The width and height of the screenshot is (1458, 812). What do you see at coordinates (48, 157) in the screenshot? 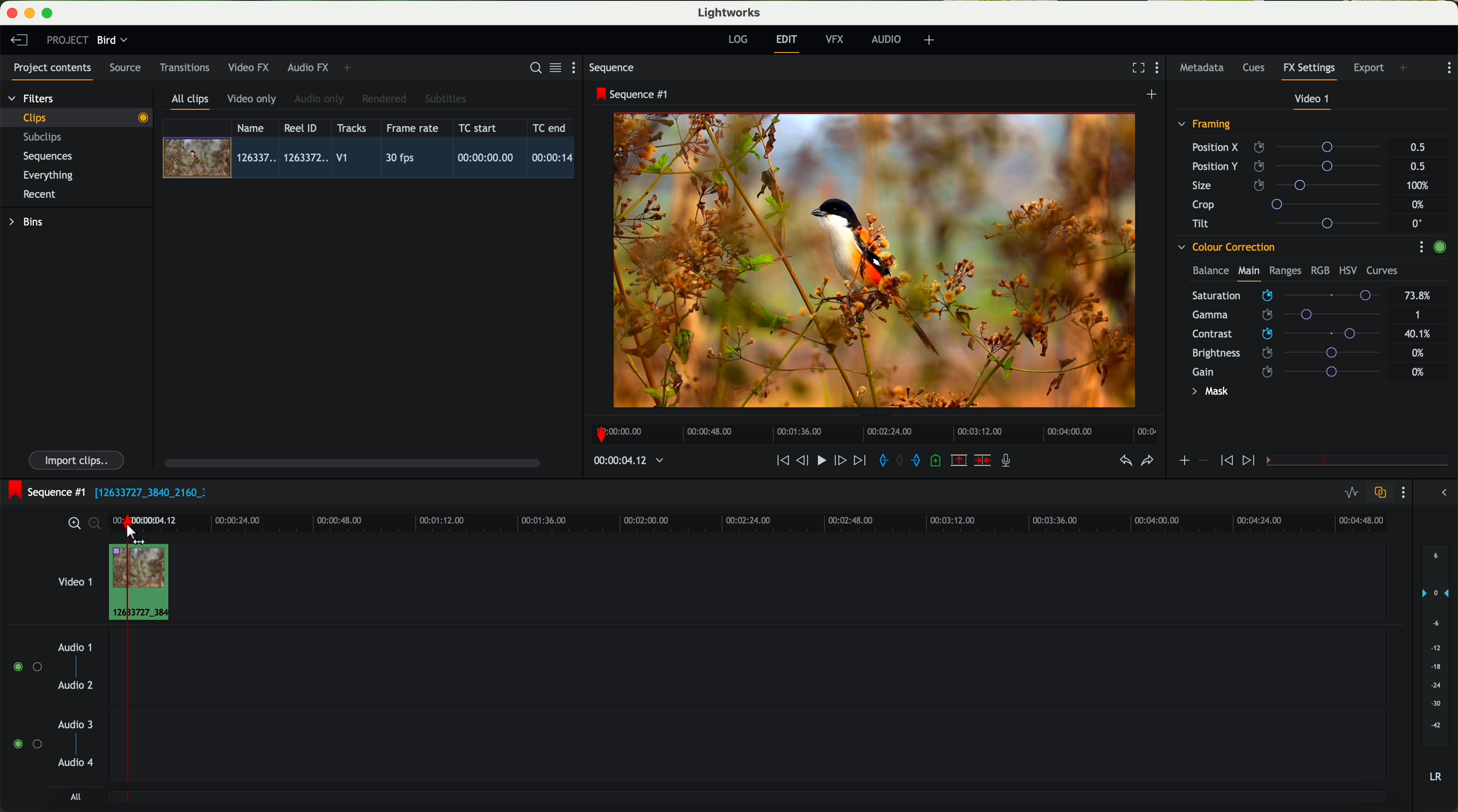
I see `sequences` at bounding box center [48, 157].